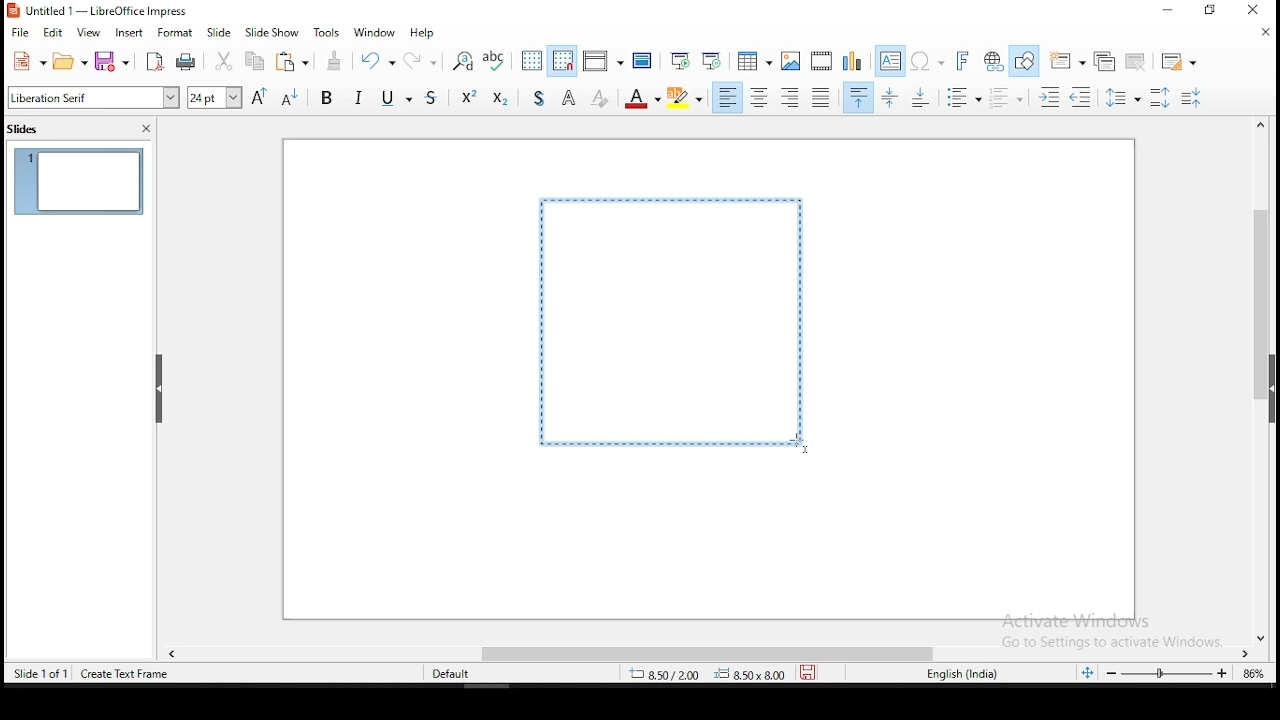 The width and height of the screenshot is (1280, 720). I want to click on new tool, so click(26, 62).